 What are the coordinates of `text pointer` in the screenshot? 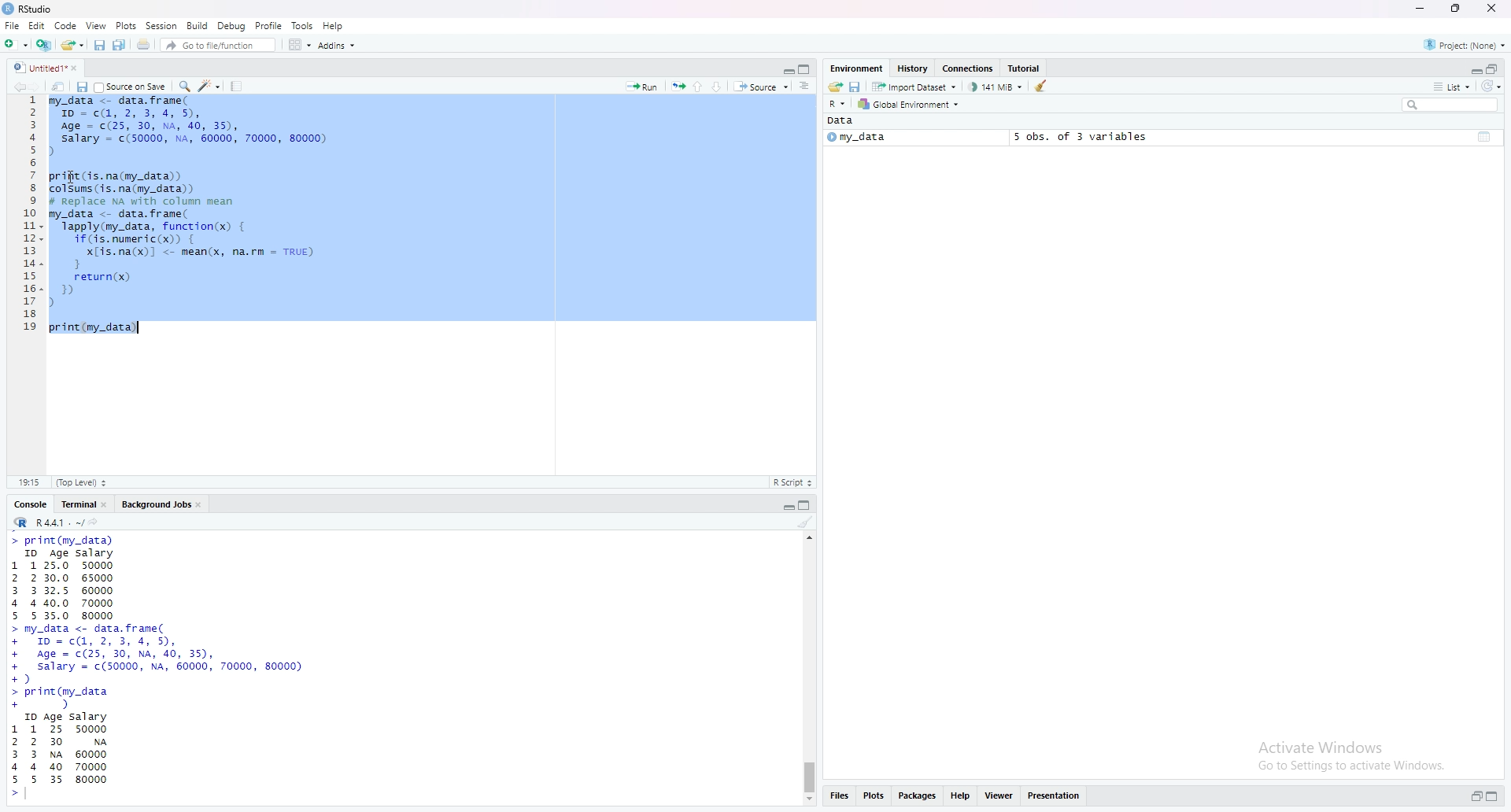 It's located at (142, 327).